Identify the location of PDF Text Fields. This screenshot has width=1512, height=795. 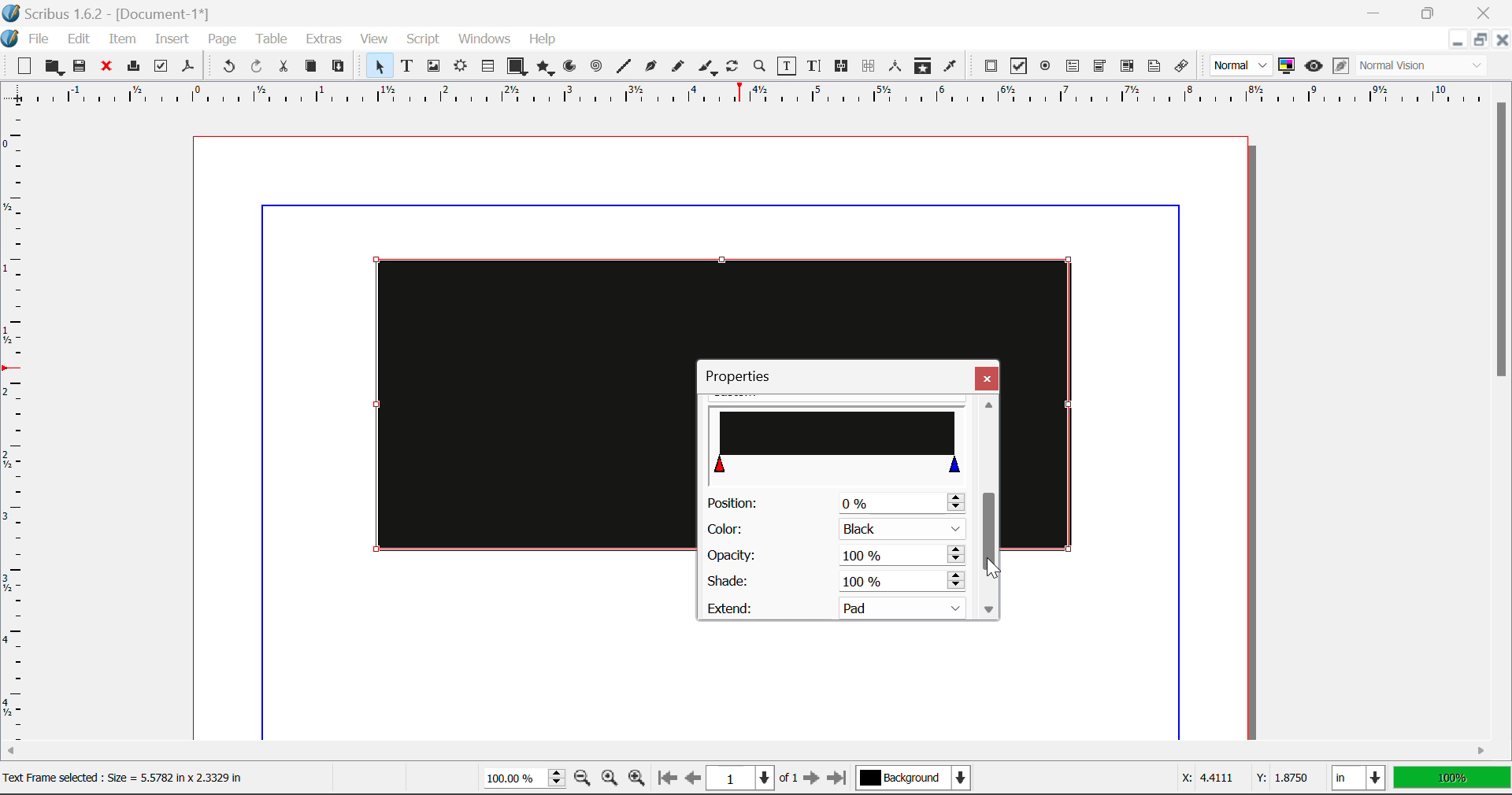
(1073, 66).